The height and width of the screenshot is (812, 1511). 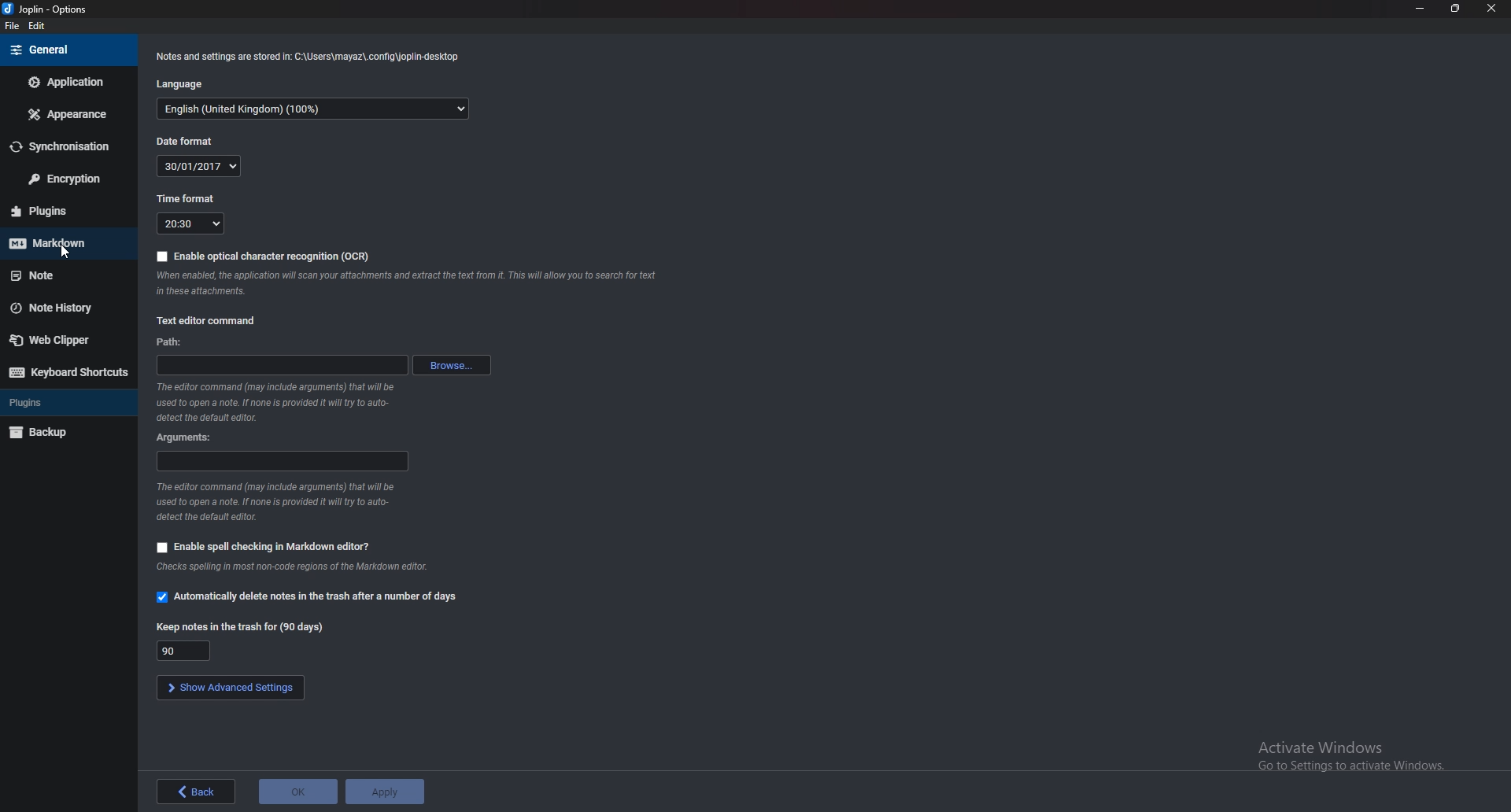 I want to click on Note history, so click(x=66, y=308).